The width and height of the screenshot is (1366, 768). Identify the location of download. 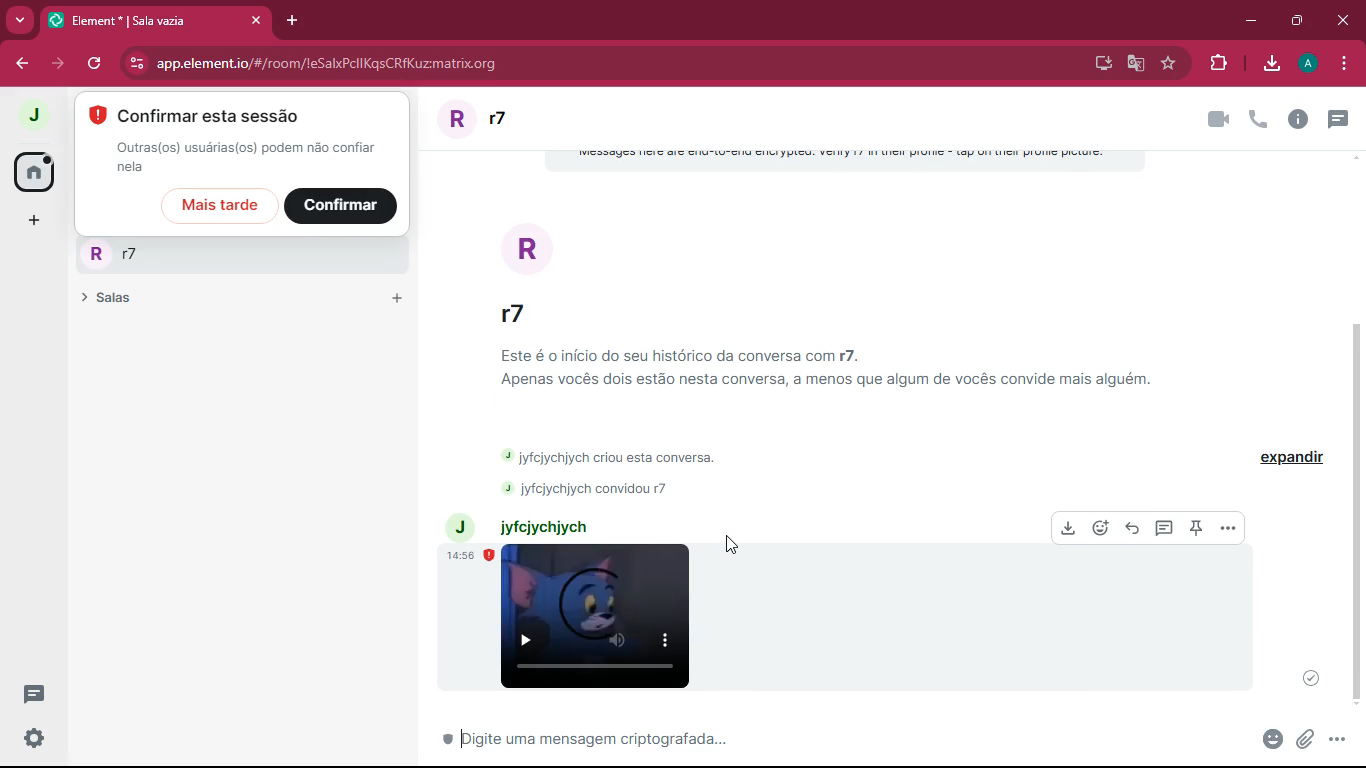
(1272, 65).